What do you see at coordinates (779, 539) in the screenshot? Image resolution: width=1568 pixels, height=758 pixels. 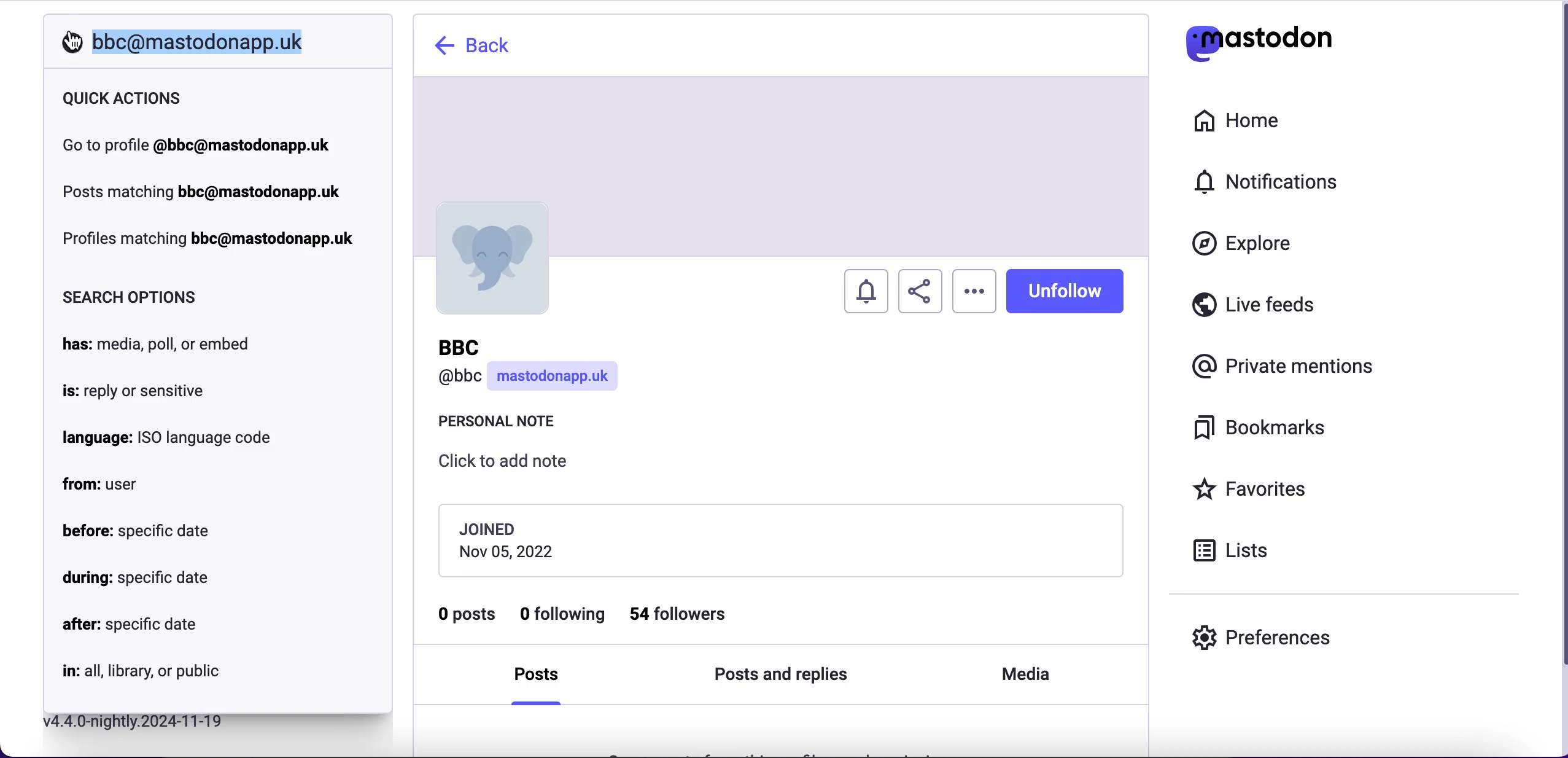 I see `joining date` at bounding box center [779, 539].